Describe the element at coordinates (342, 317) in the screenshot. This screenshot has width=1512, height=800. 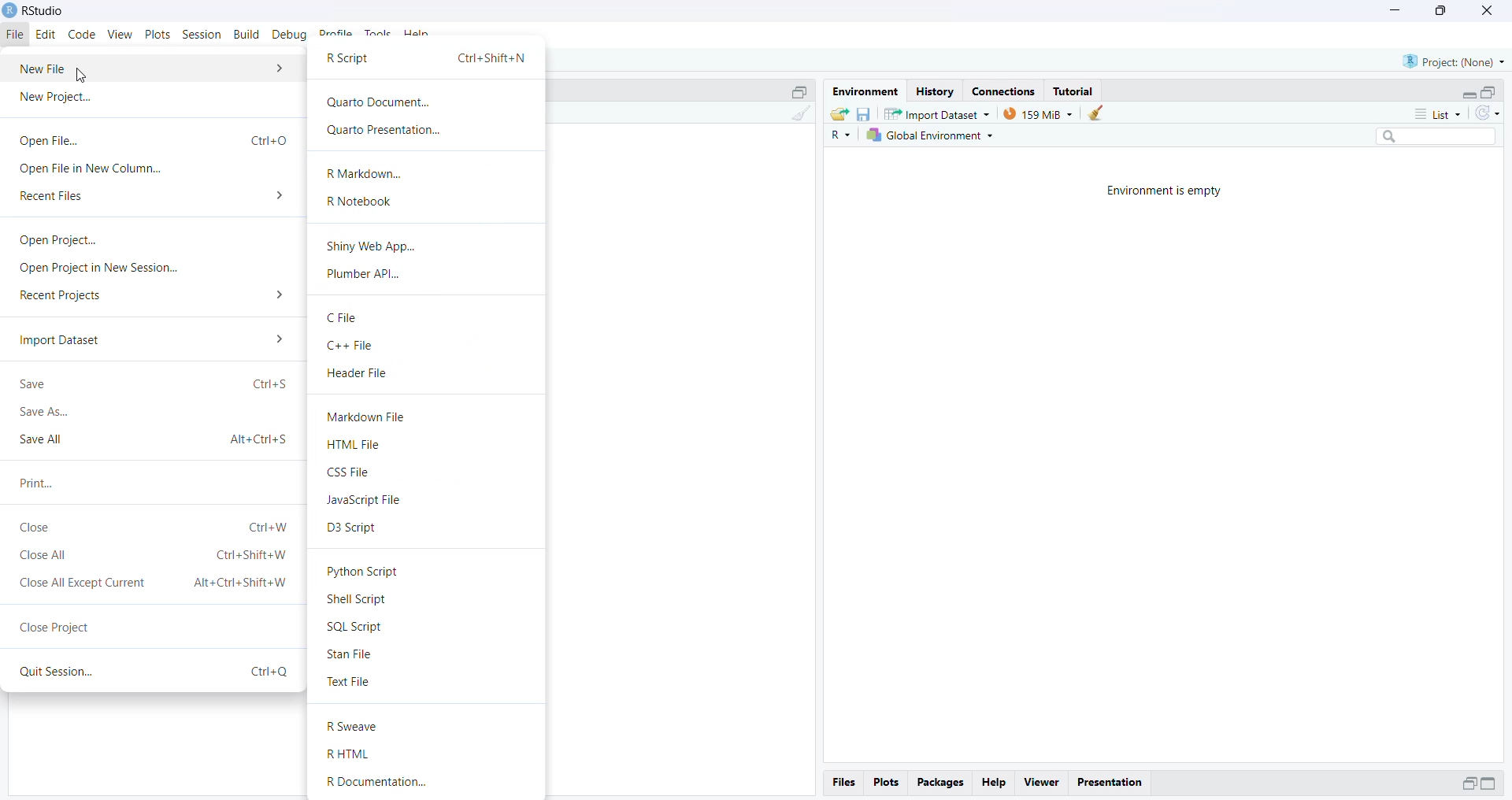
I see `C File` at that location.